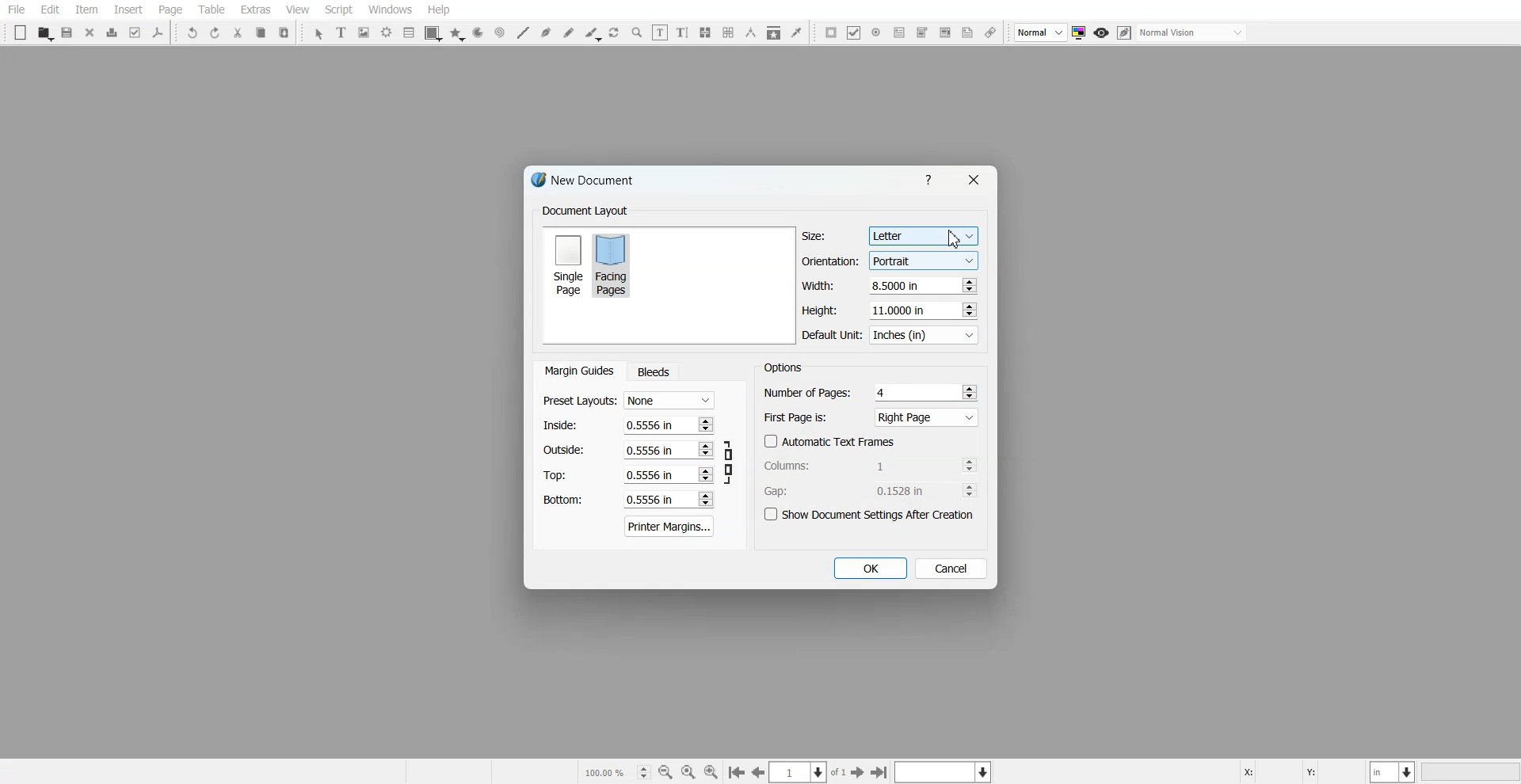  Describe the element at coordinates (569, 32) in the screenshot. I see `Freehand line` at that location.